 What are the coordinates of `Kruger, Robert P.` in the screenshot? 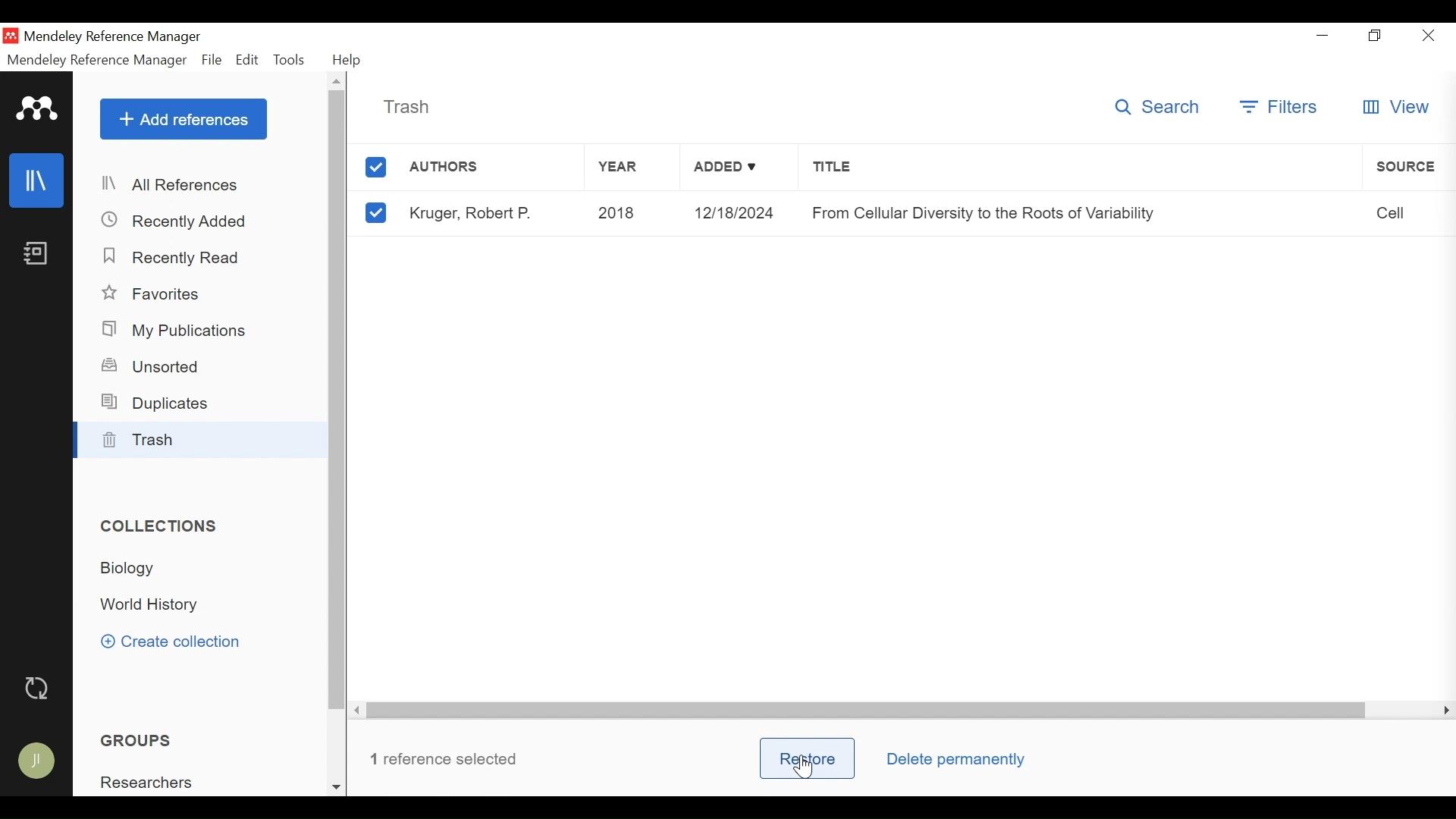 It's located at (479, 214).